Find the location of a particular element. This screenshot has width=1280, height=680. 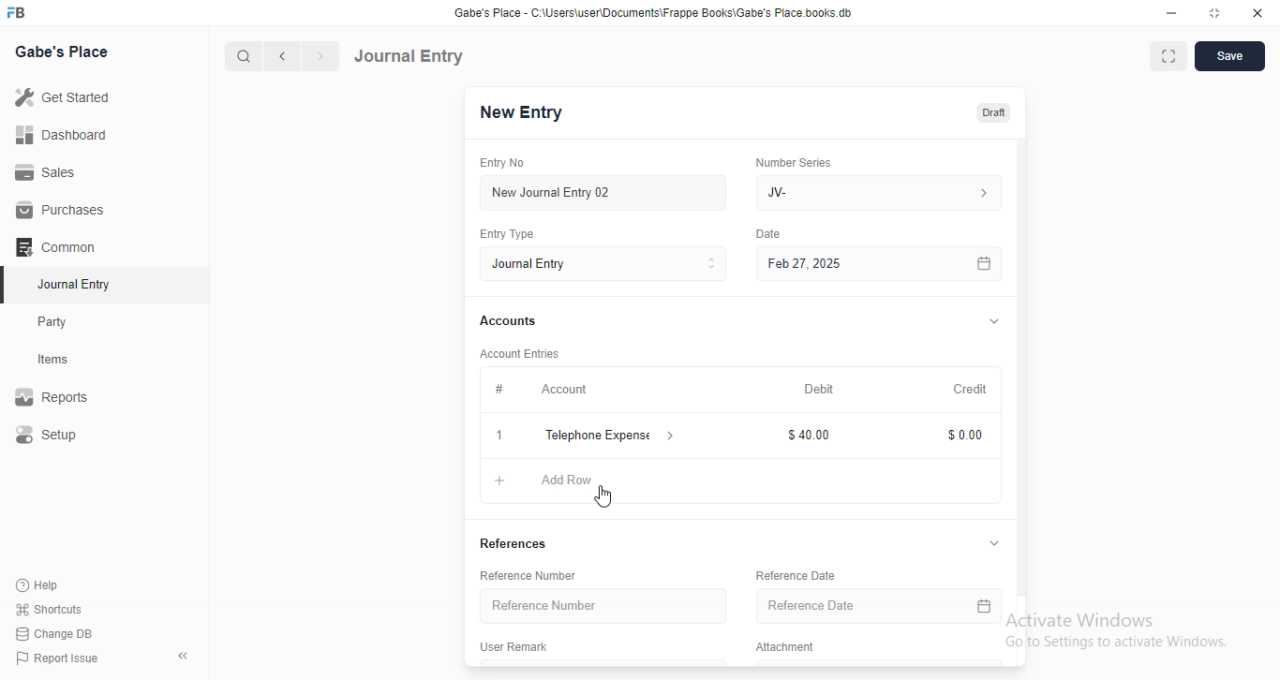

0.00 is located at coordinates (958, 436).